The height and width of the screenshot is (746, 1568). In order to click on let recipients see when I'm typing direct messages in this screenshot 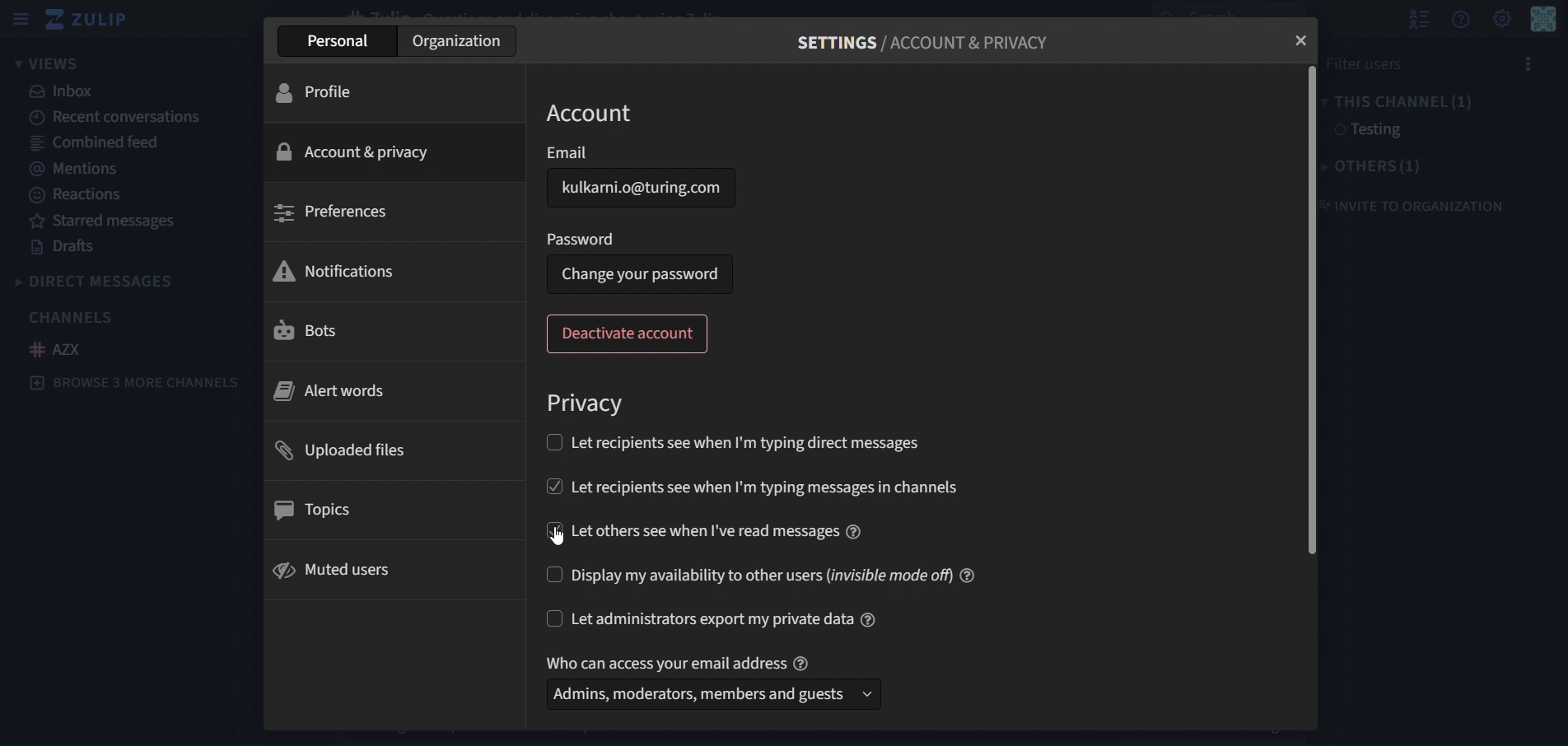, I will do `click(749, 443)`.